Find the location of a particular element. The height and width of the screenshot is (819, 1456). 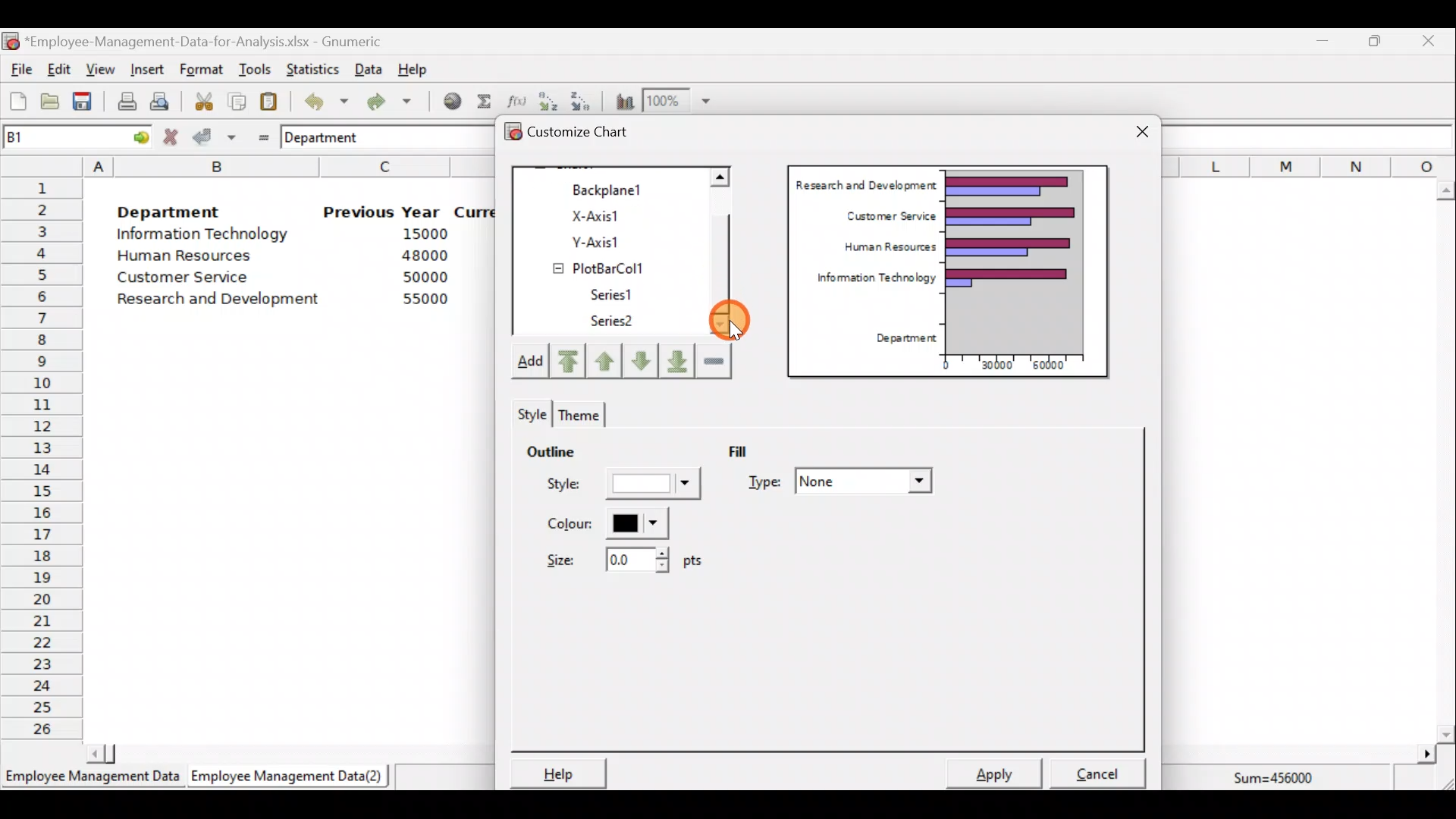

Data is located at coordinates (369, 69).